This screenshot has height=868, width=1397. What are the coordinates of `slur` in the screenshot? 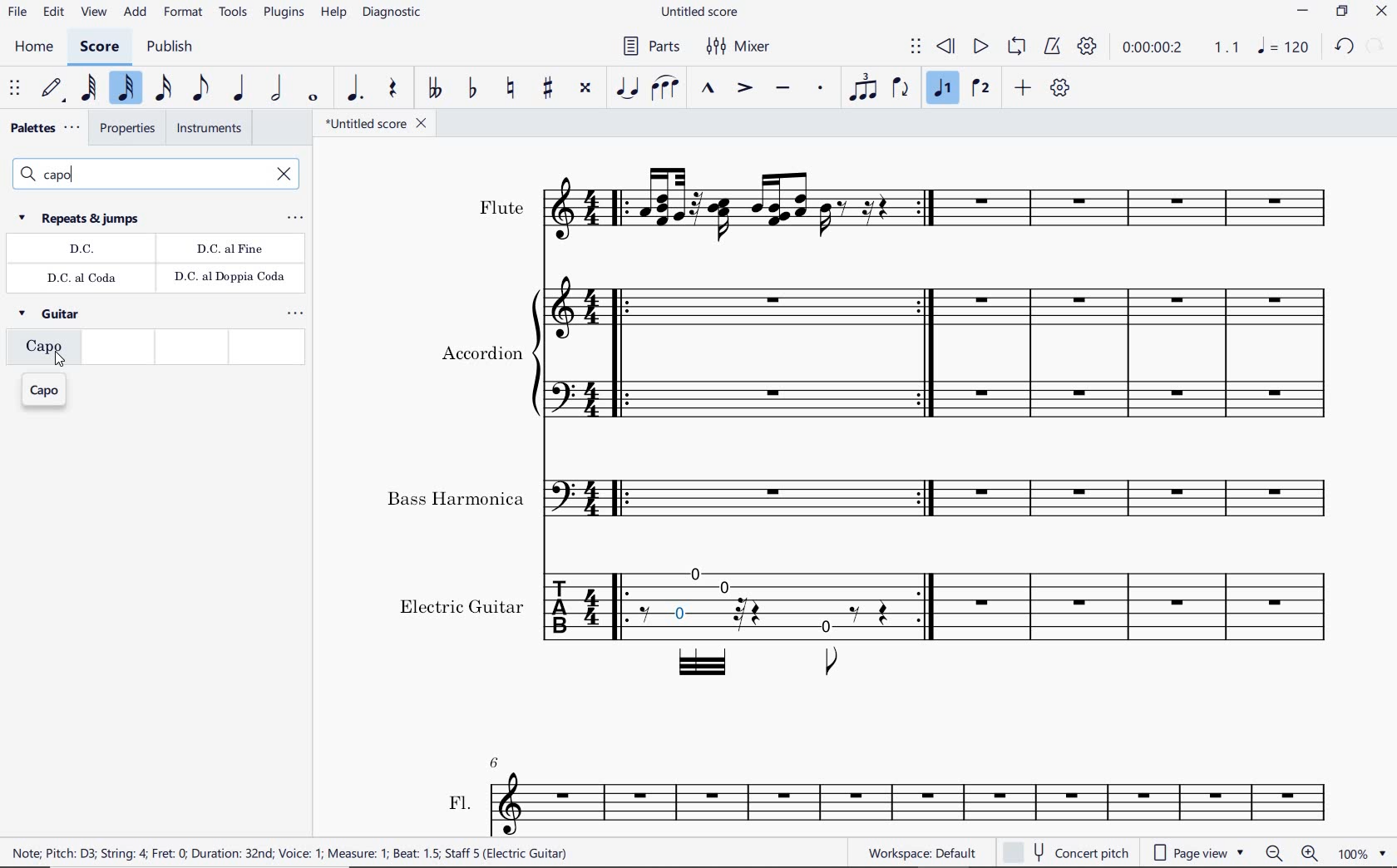 It's located at (667, 89).